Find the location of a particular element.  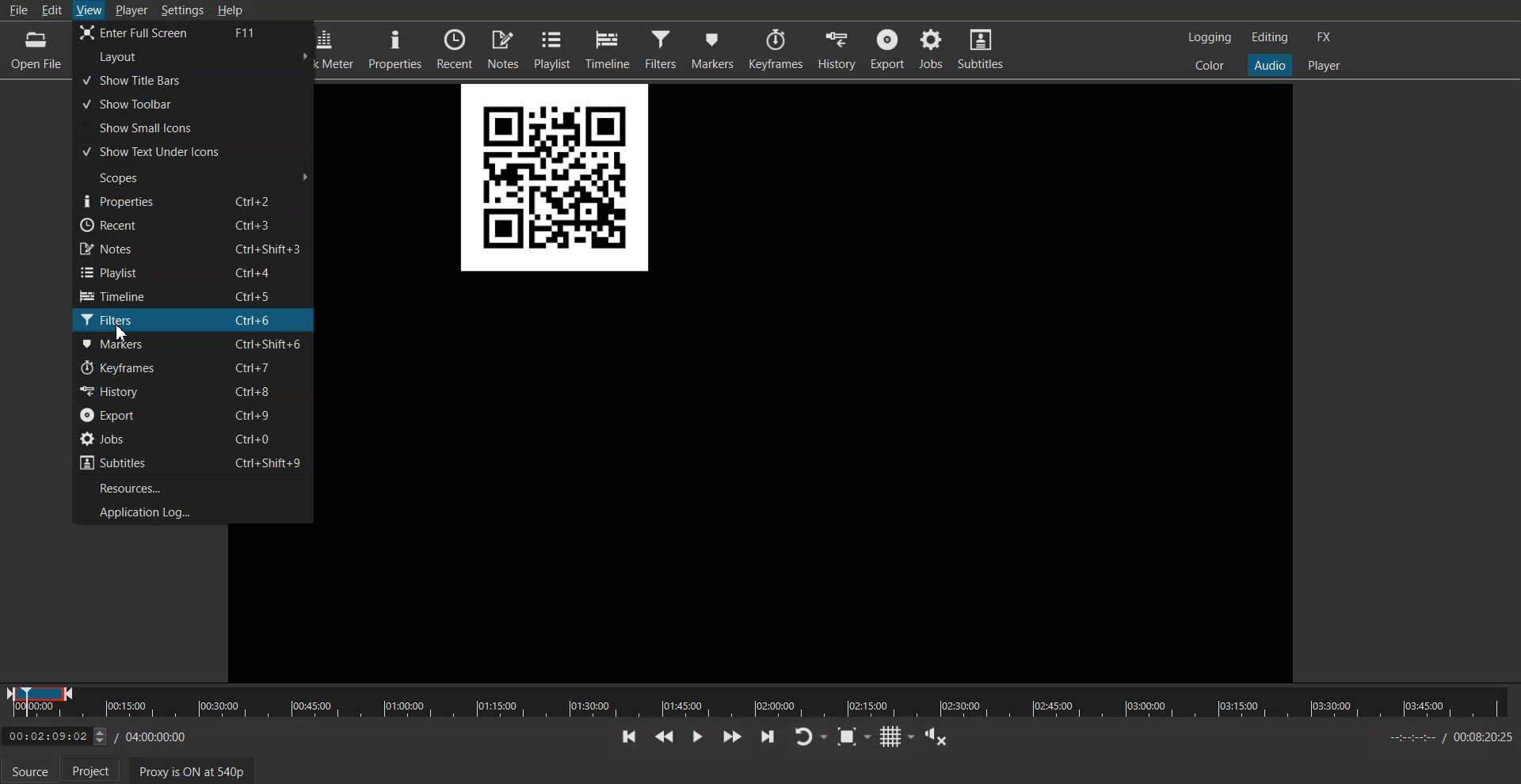

Switch to the Editor layout is located at coordinates (1270, 37).